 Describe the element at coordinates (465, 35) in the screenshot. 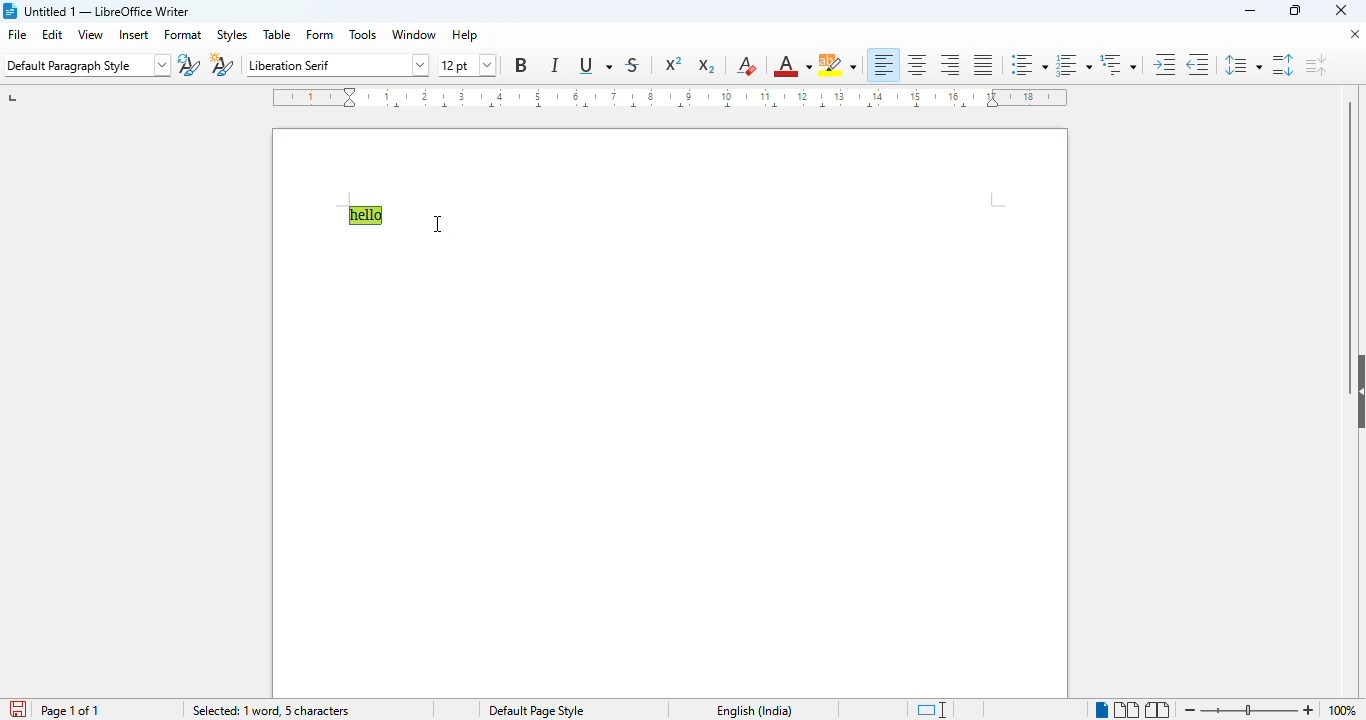

I see `help` at that location.